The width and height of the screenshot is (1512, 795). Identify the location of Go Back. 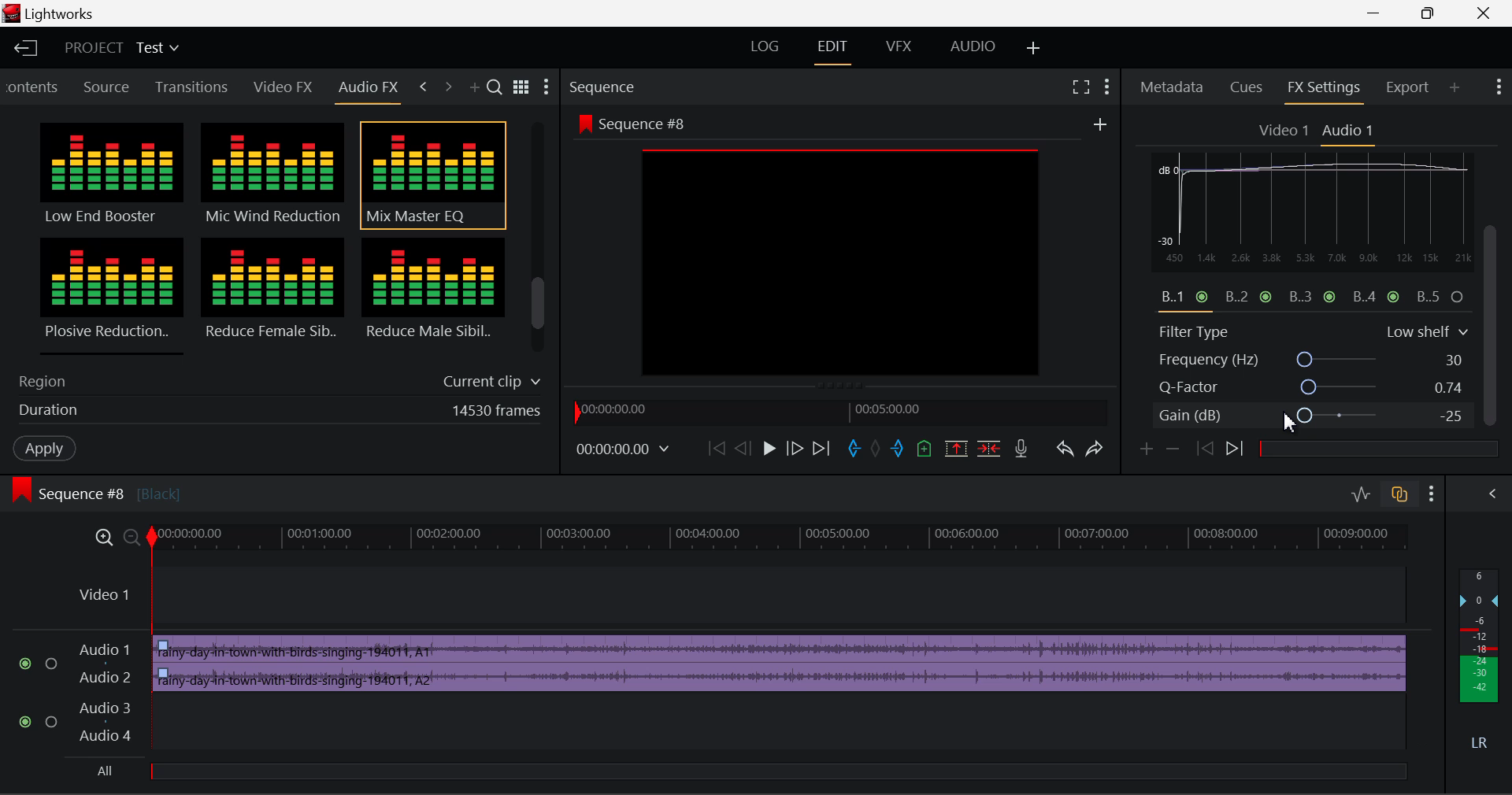
(743, 449).